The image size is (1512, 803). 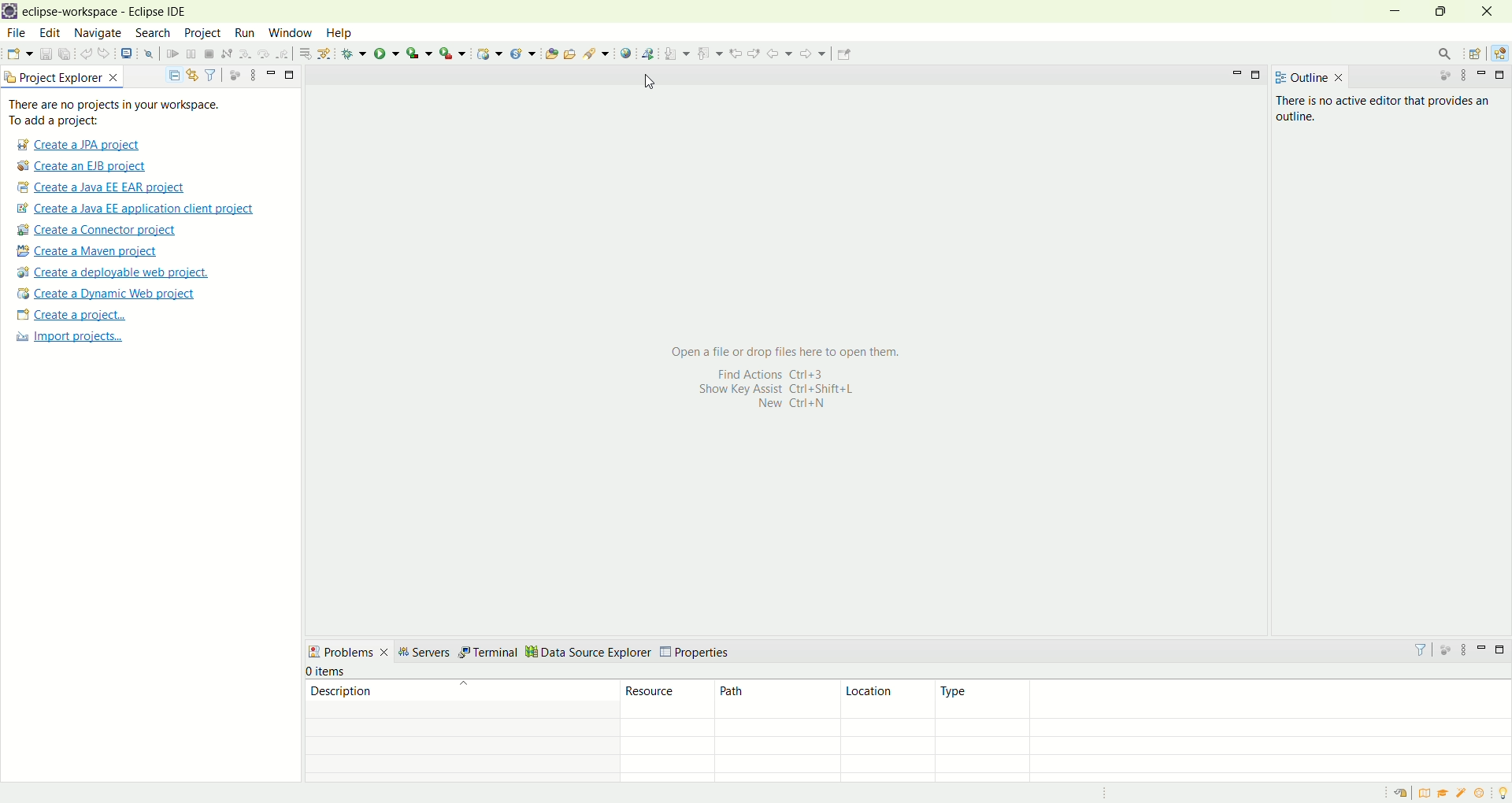 What do you see at coordinates (94, 231) in the screenshot?
I see `create a connector project` at bounding box center [94, 231].